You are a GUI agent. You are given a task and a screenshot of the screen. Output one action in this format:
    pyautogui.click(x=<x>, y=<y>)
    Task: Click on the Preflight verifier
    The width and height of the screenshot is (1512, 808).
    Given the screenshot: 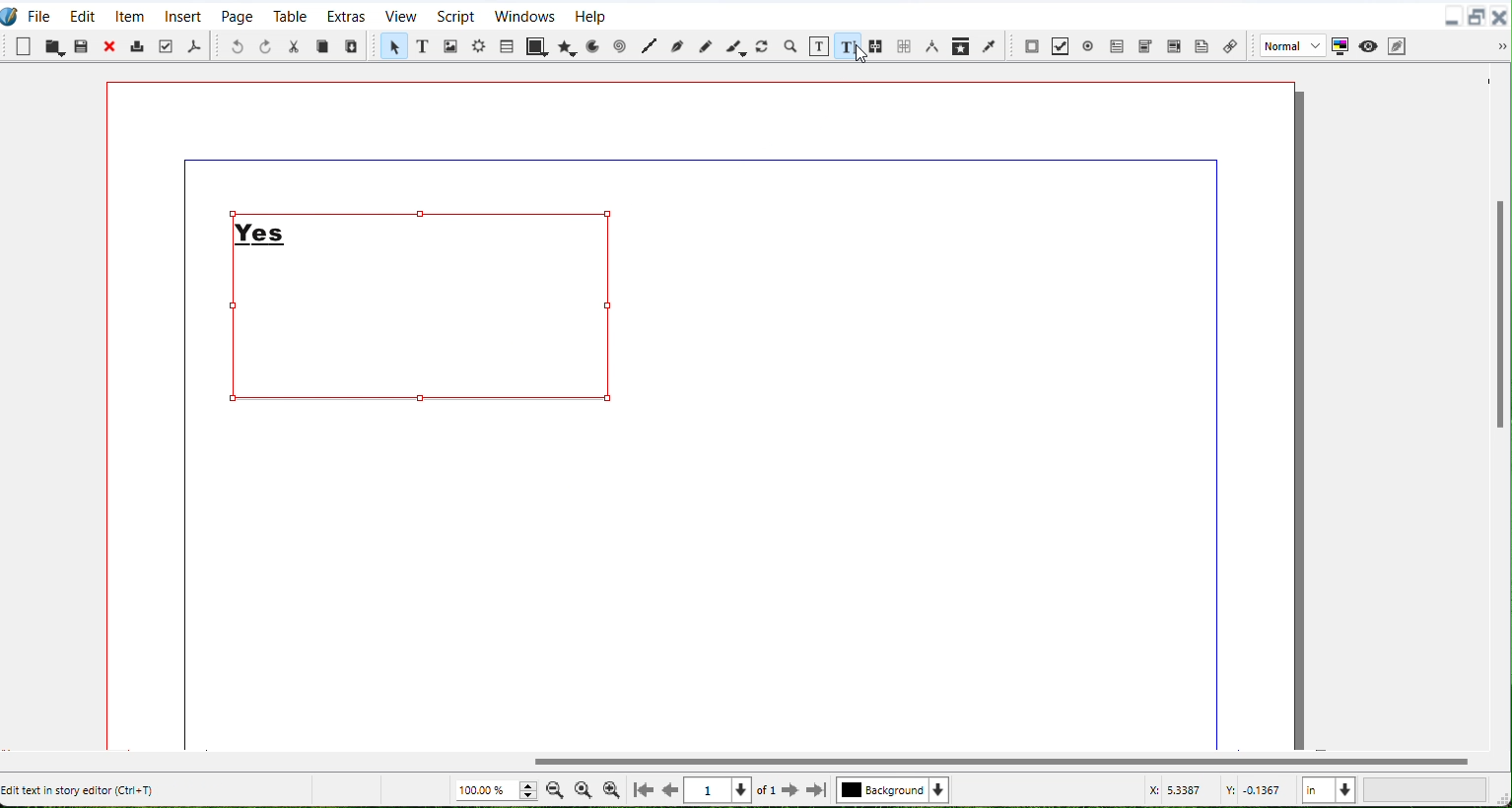 What is the action you would take?
    pyautogui.click(x=168, y=46)
    